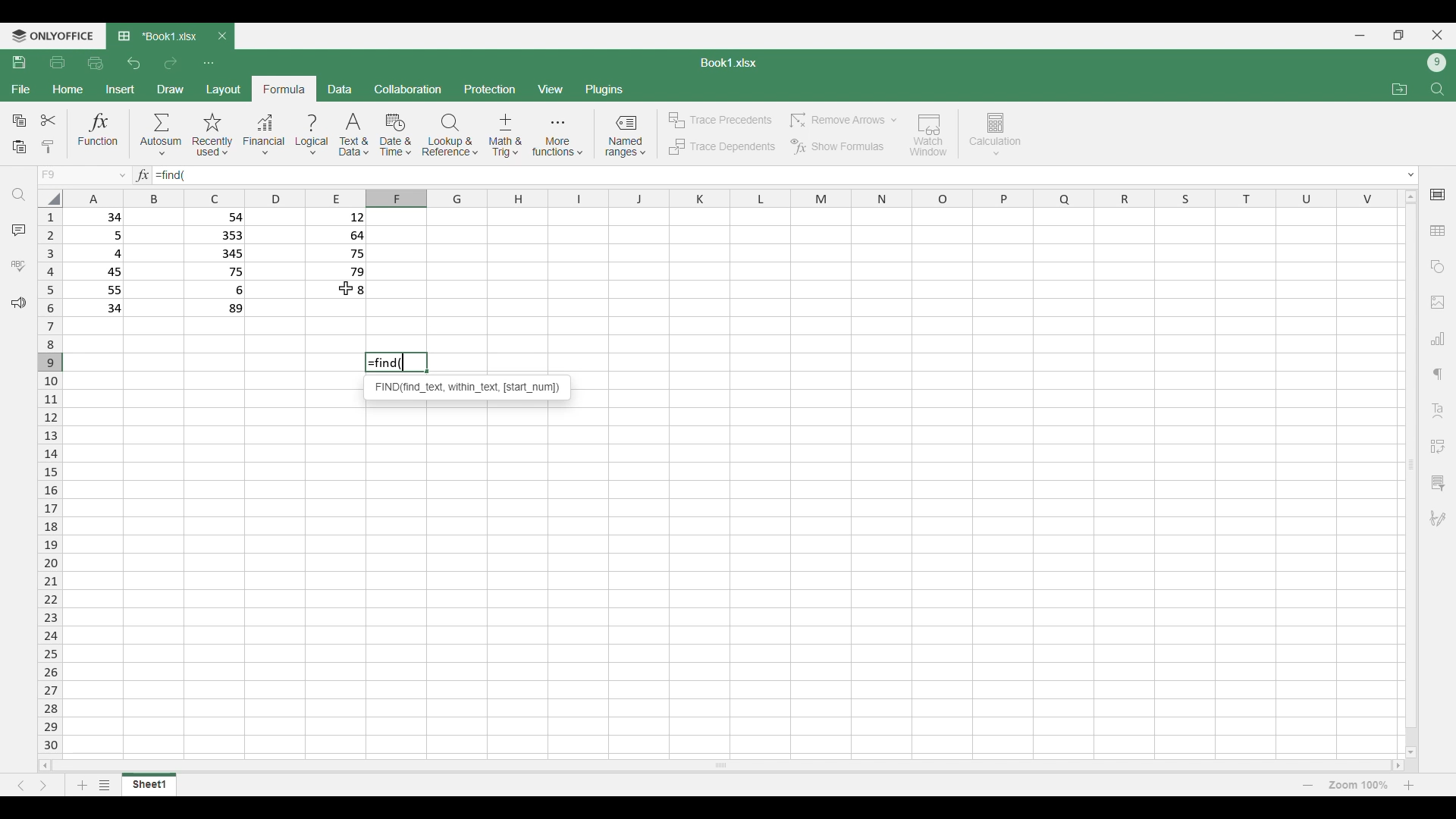  Describe the element at coordinates (1400, 89) in the screenshot. I see `Open file location` at that location.